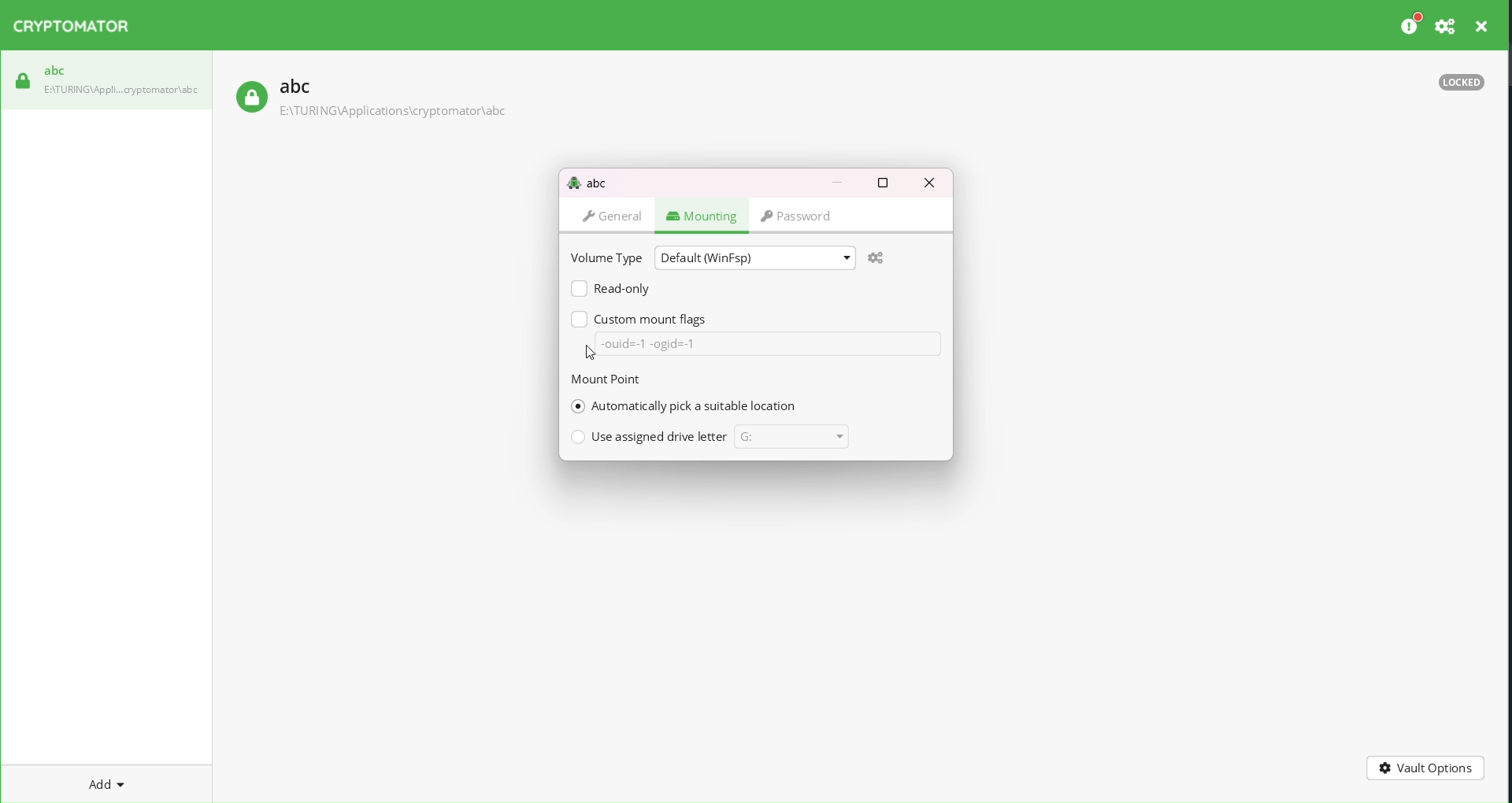 The image size is (1512, 803). What do you see at coordinates (845, 435) in the screenshot?
I see `drive dropdown` at bounding box center [845, 435].